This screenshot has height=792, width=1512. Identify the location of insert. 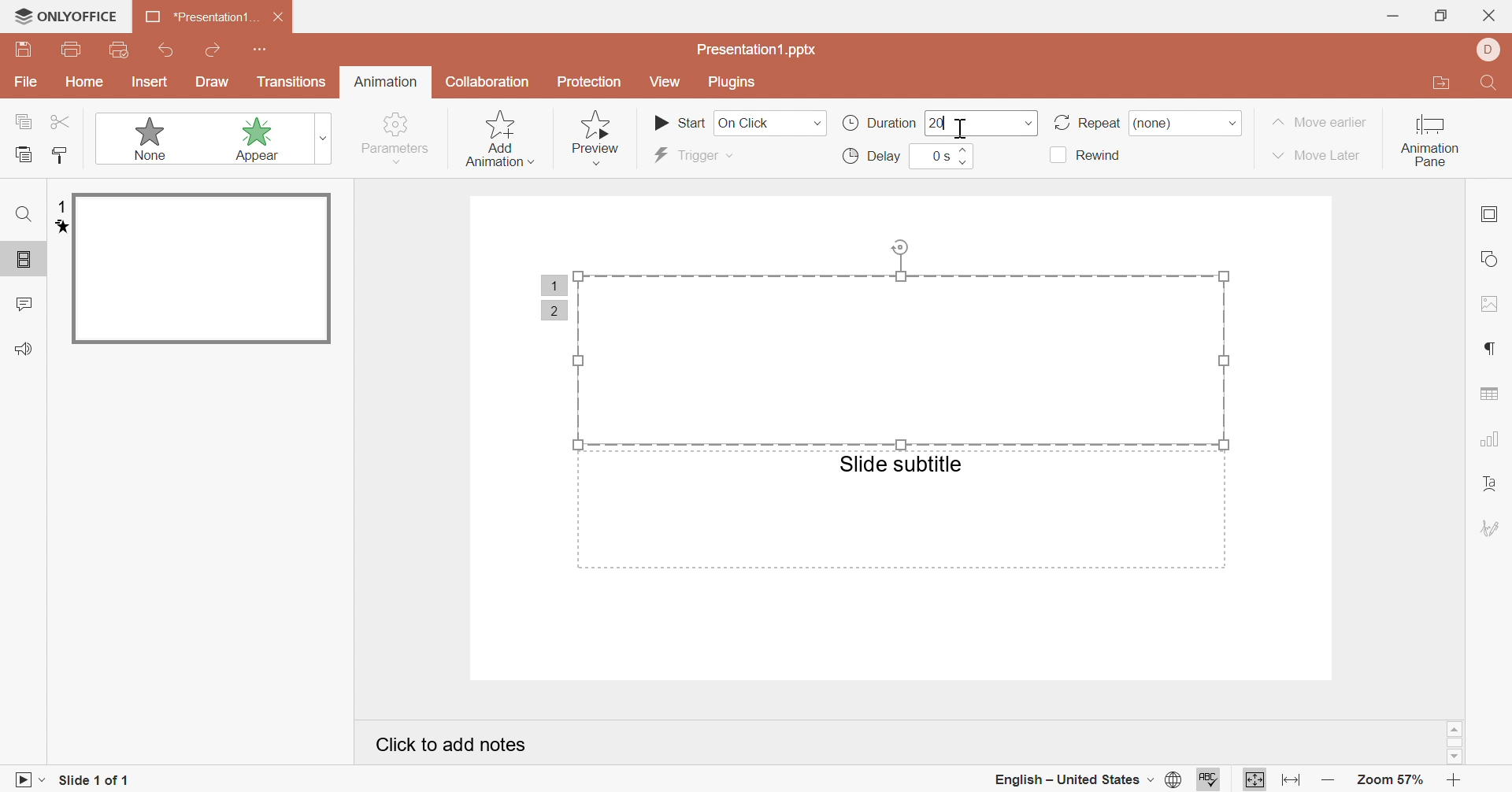
(149, 82).